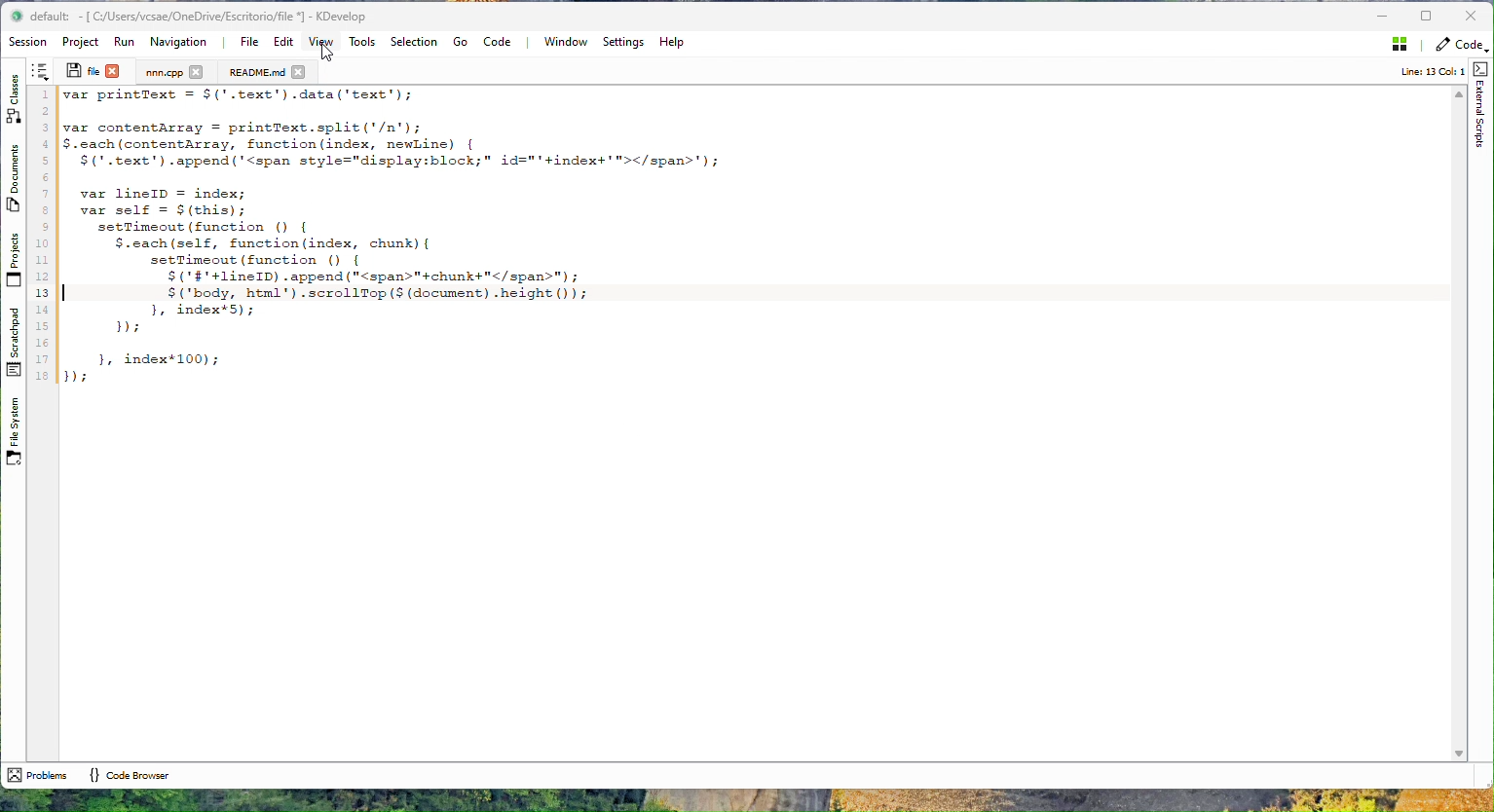  Describe the element at coordinates (622, 42) in the screenshot. I see `Settings` at that location.